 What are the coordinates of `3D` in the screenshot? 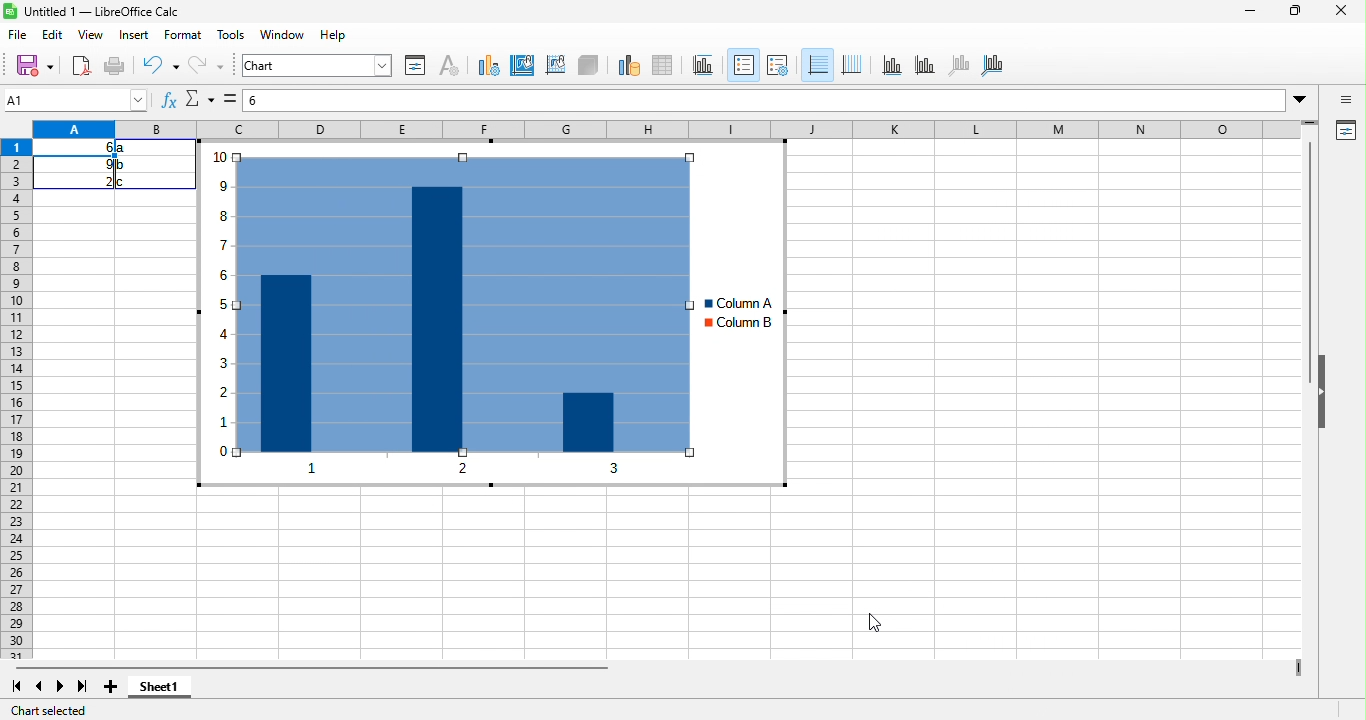 It's located at (588, 66).